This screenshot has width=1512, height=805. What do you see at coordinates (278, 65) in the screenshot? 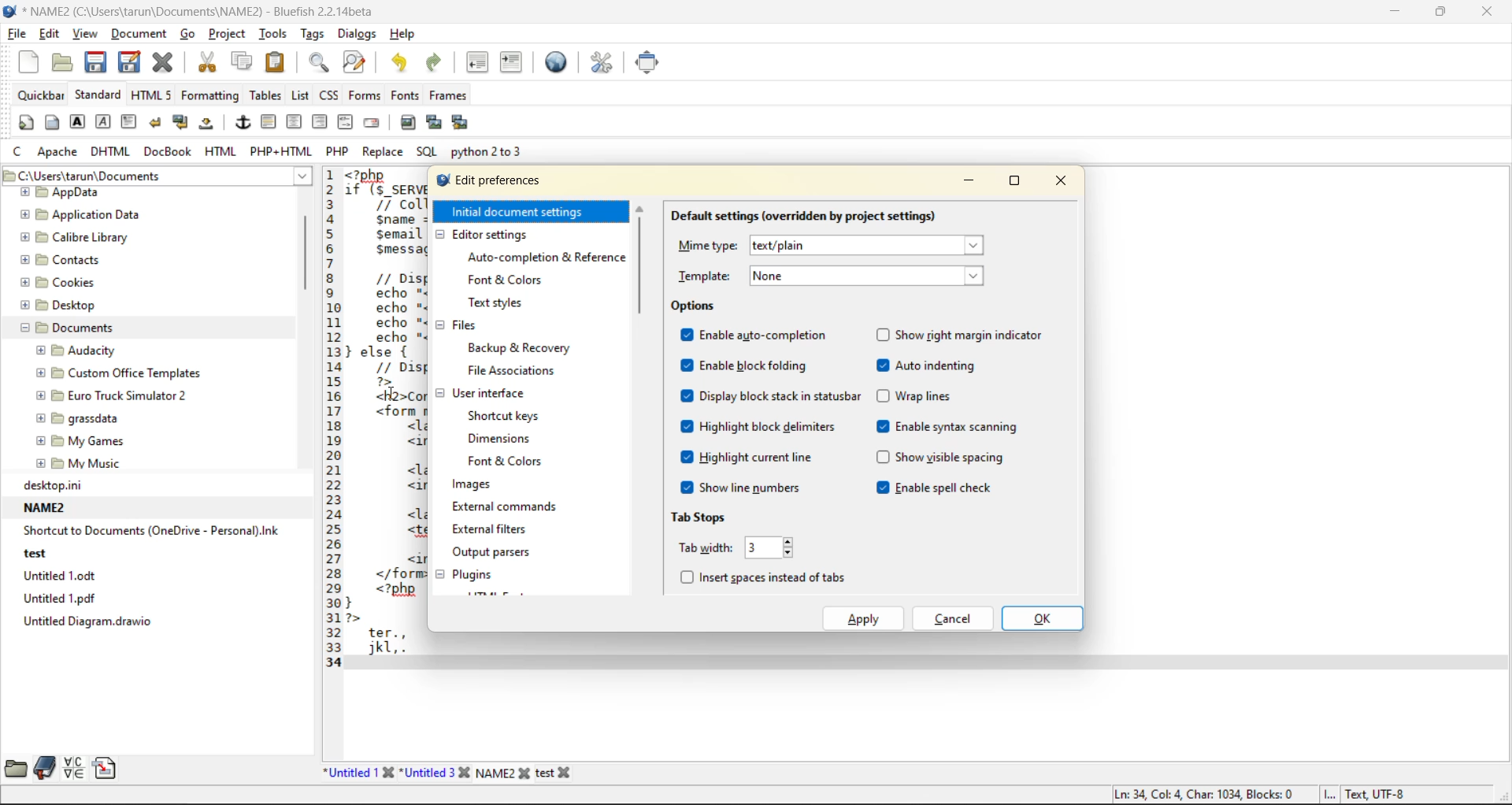
I see `paste` at bounding box center [278, 65].